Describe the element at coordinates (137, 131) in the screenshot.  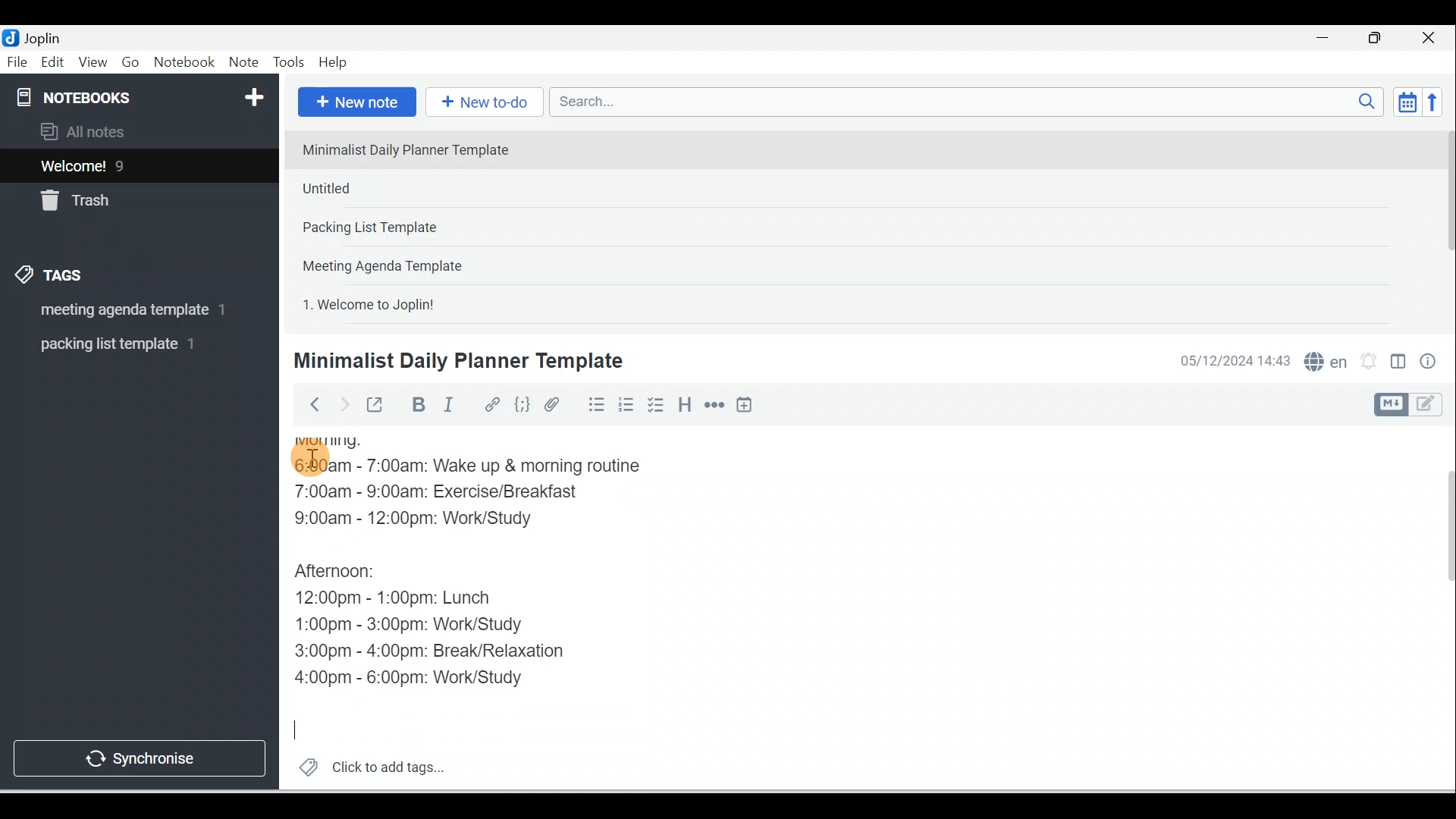
I see `All notes` at that location.